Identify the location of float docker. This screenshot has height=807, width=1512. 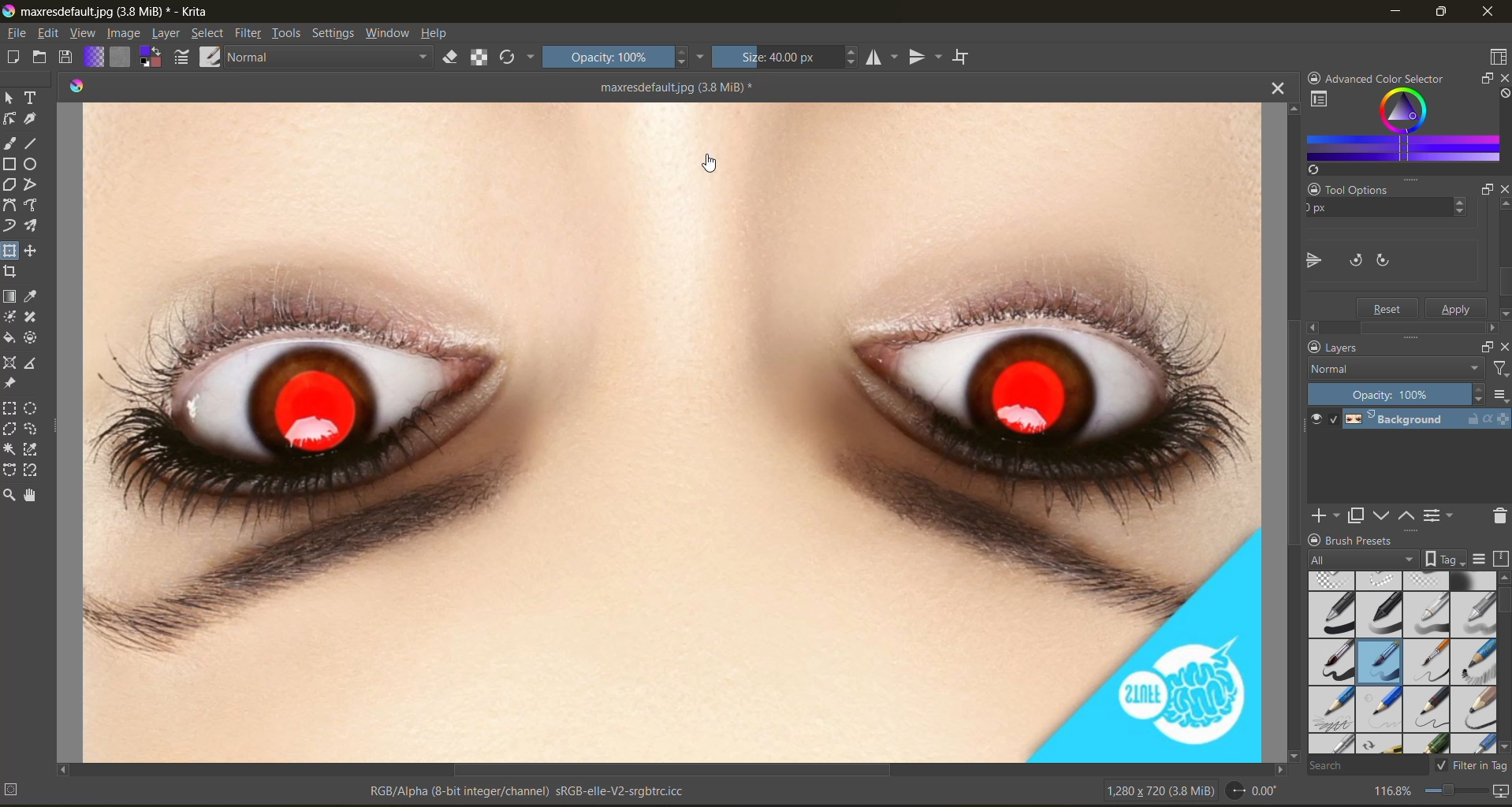
(1487, 347).